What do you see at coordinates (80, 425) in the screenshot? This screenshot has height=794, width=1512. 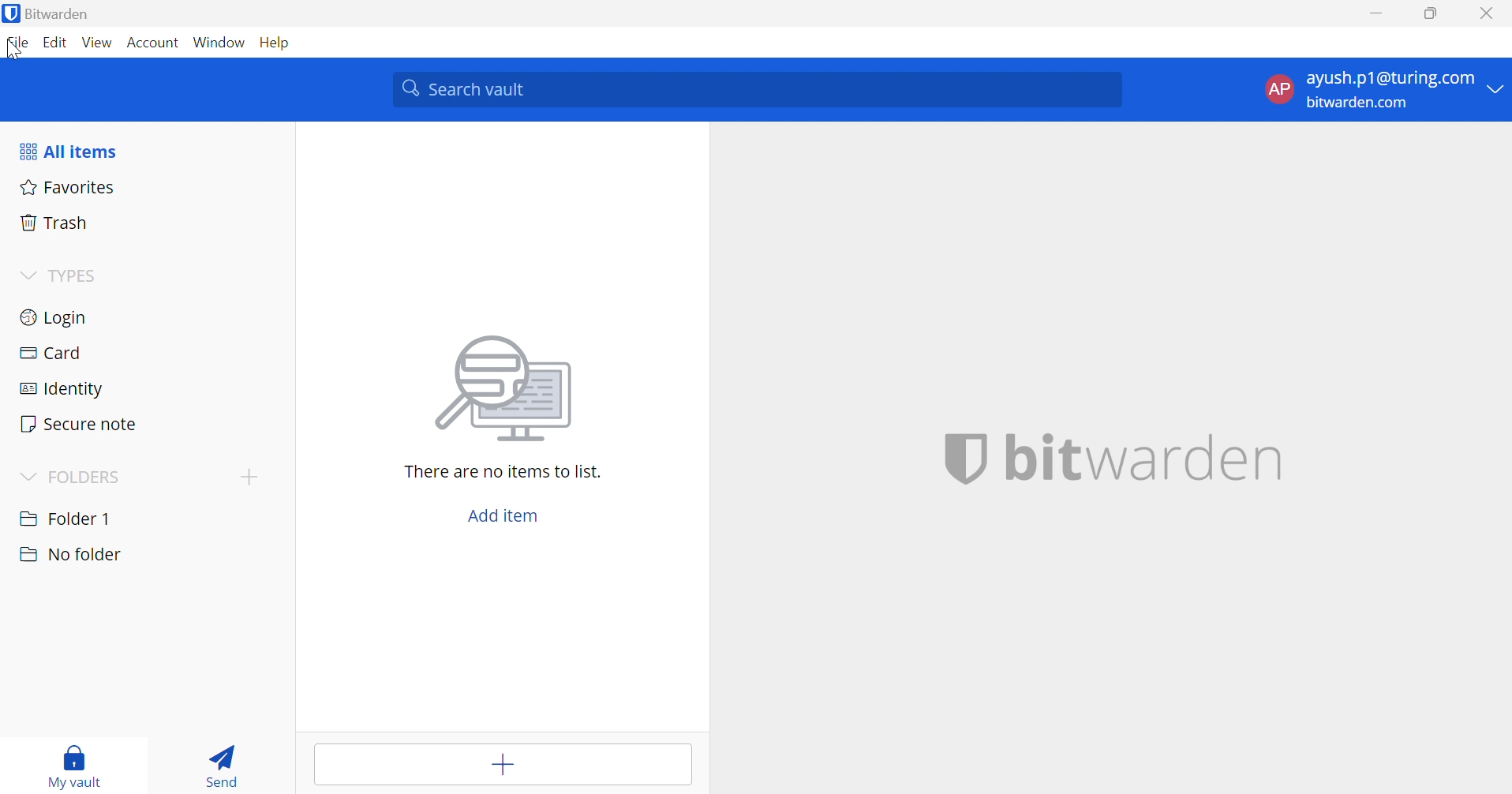 I see `Secure note` at bounding box center [80, 425].